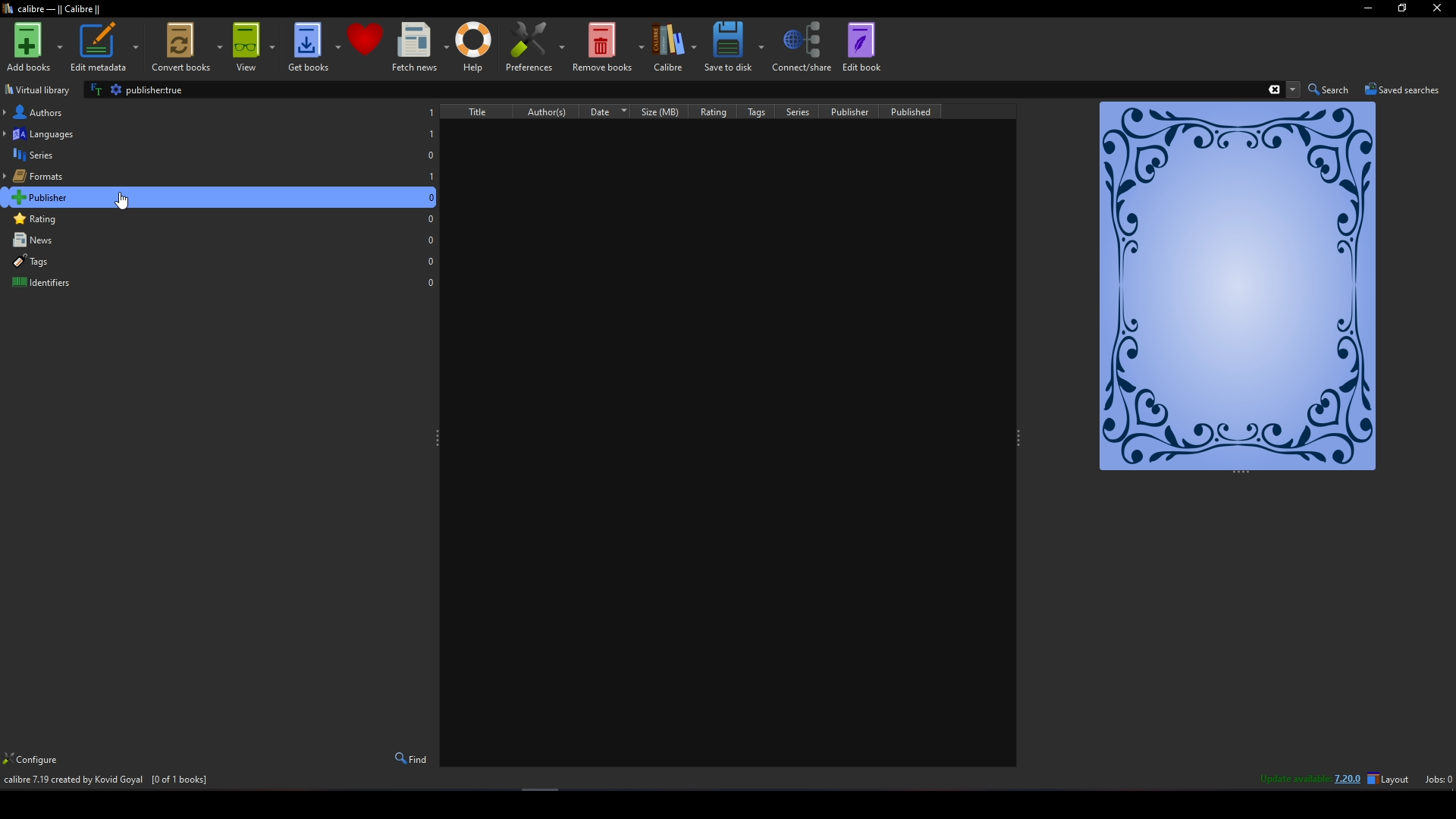 Image resolution: width=1456 pixels, height=819 pixels. What do you see at coordinates (34, 47) in the screenshot?
I see `Add books` at bounding box center [34, 47].